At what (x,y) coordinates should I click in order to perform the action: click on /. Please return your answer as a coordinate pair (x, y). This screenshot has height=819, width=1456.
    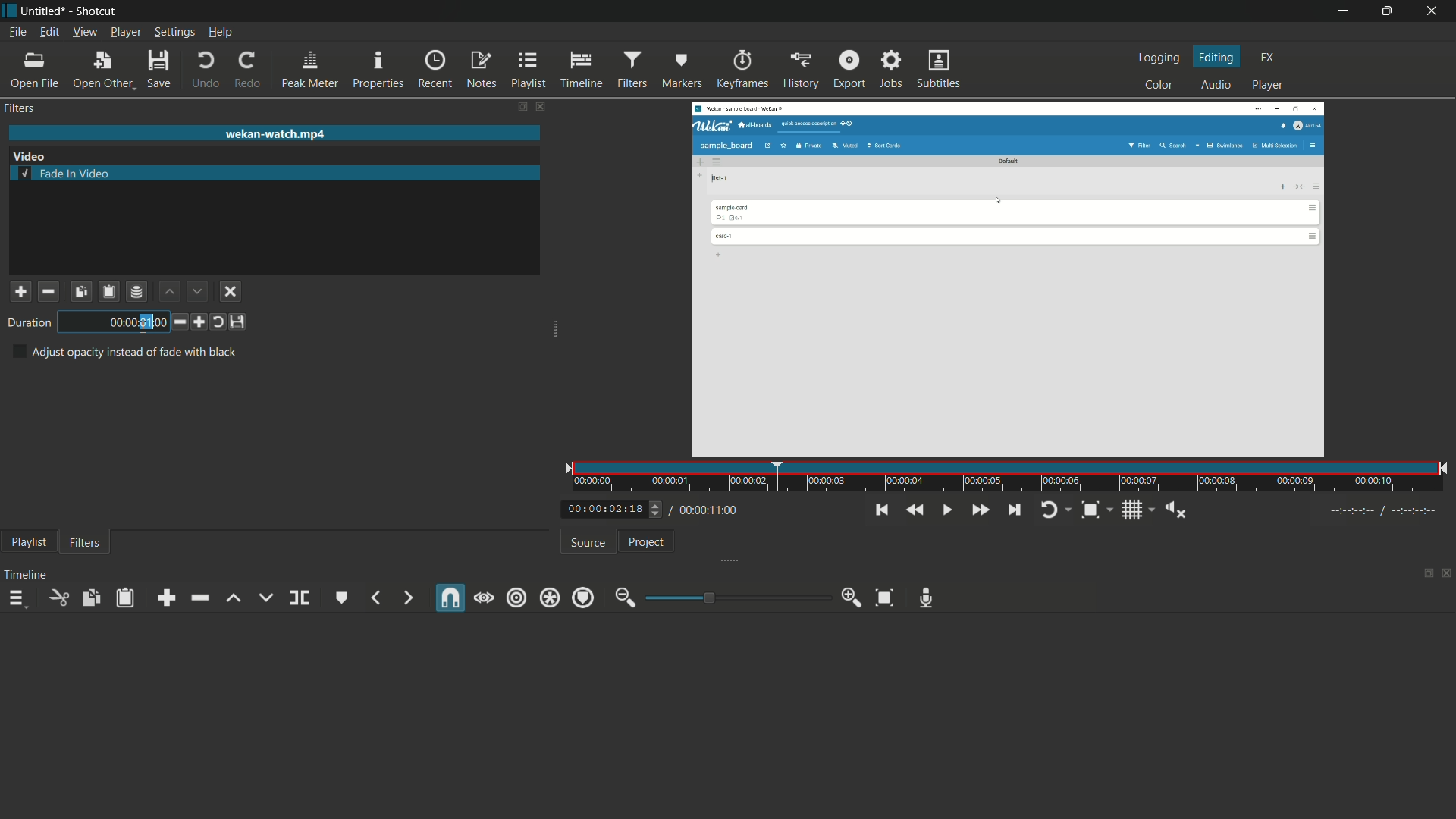
    Looking at the image, I should click on (669, 507).